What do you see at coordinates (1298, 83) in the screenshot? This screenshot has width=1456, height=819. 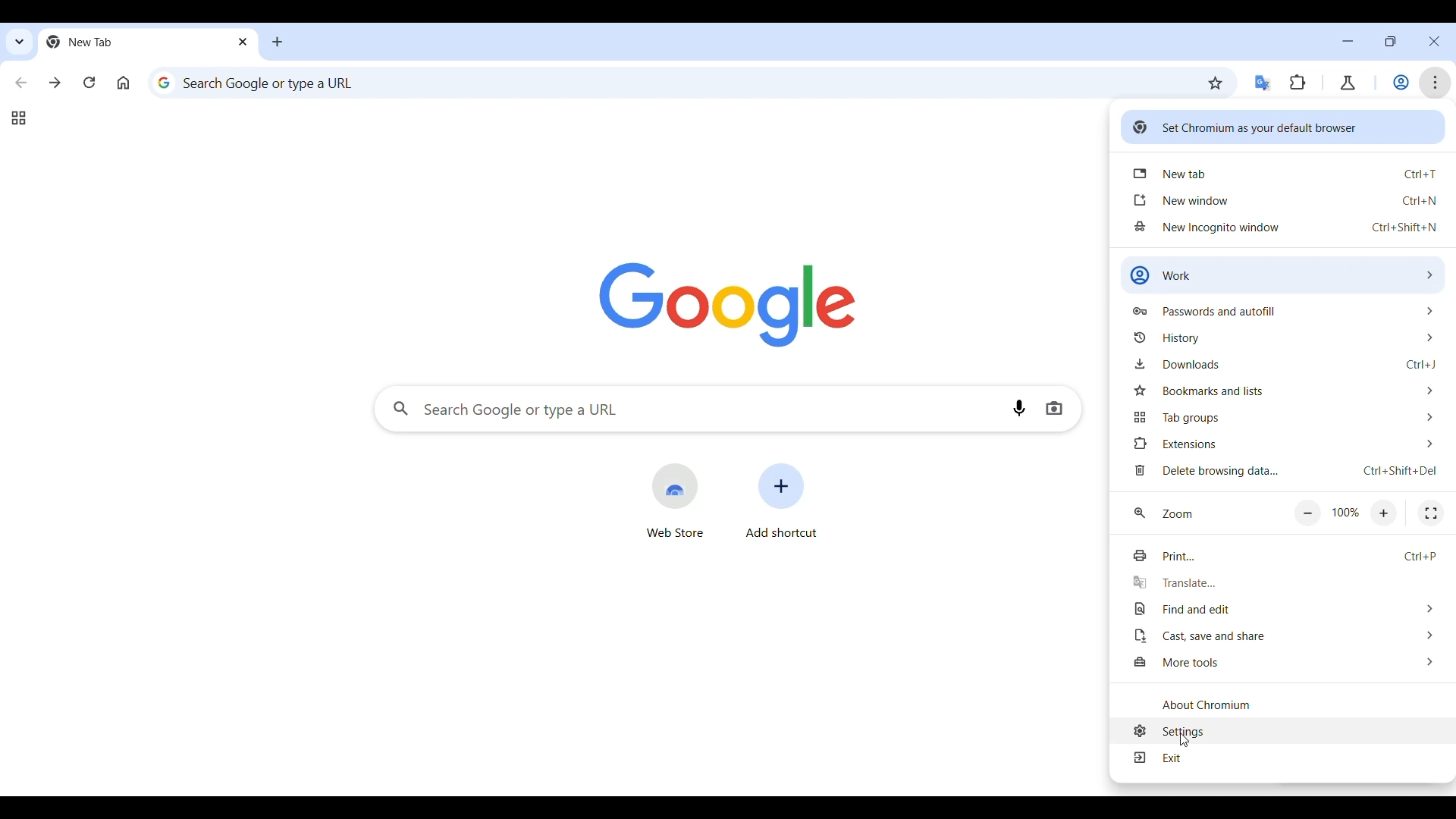 I see `Extensions` at bounding box center [1298, 83].